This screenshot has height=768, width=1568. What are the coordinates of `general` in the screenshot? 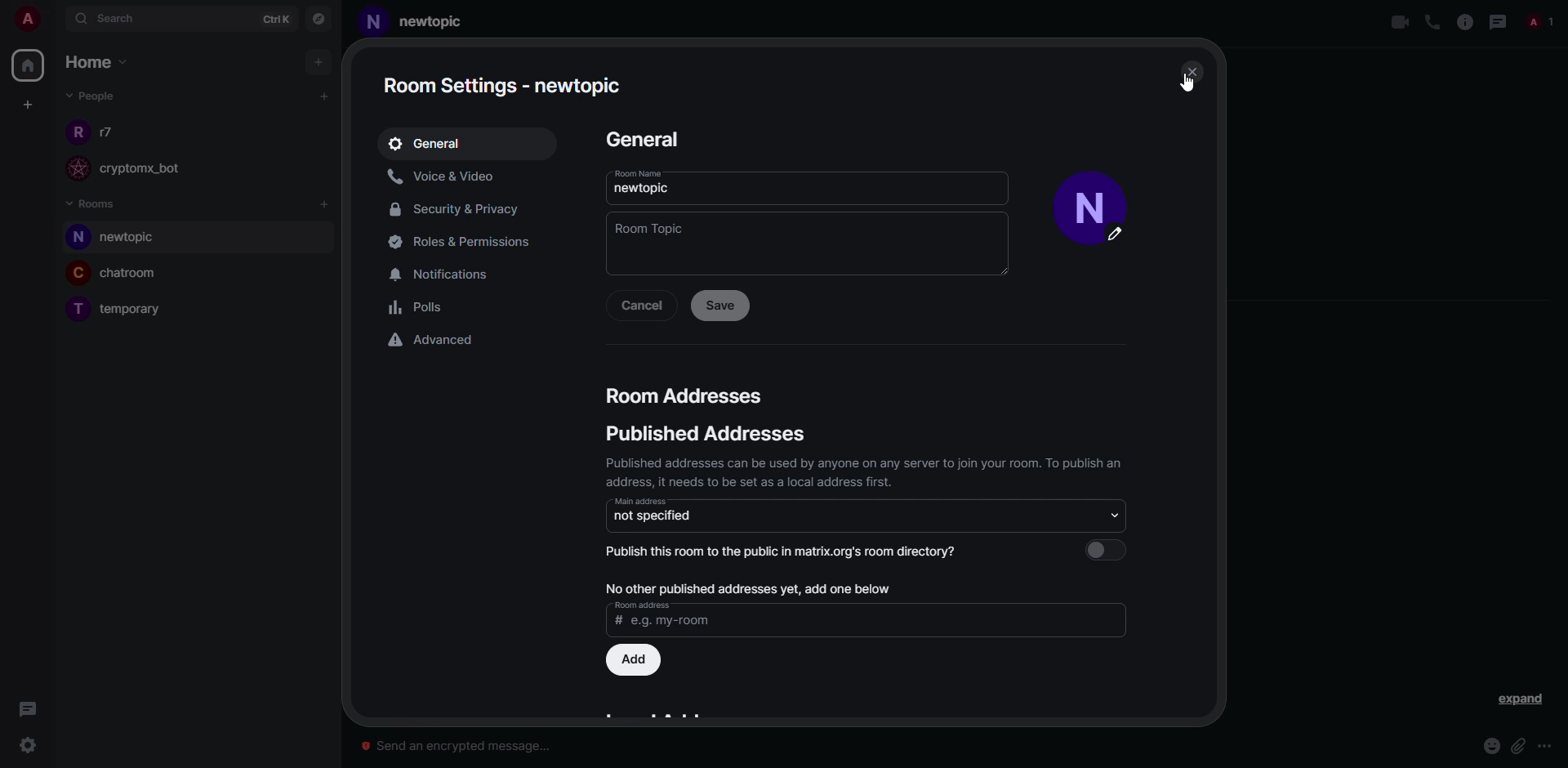 It's located at (641, 138).